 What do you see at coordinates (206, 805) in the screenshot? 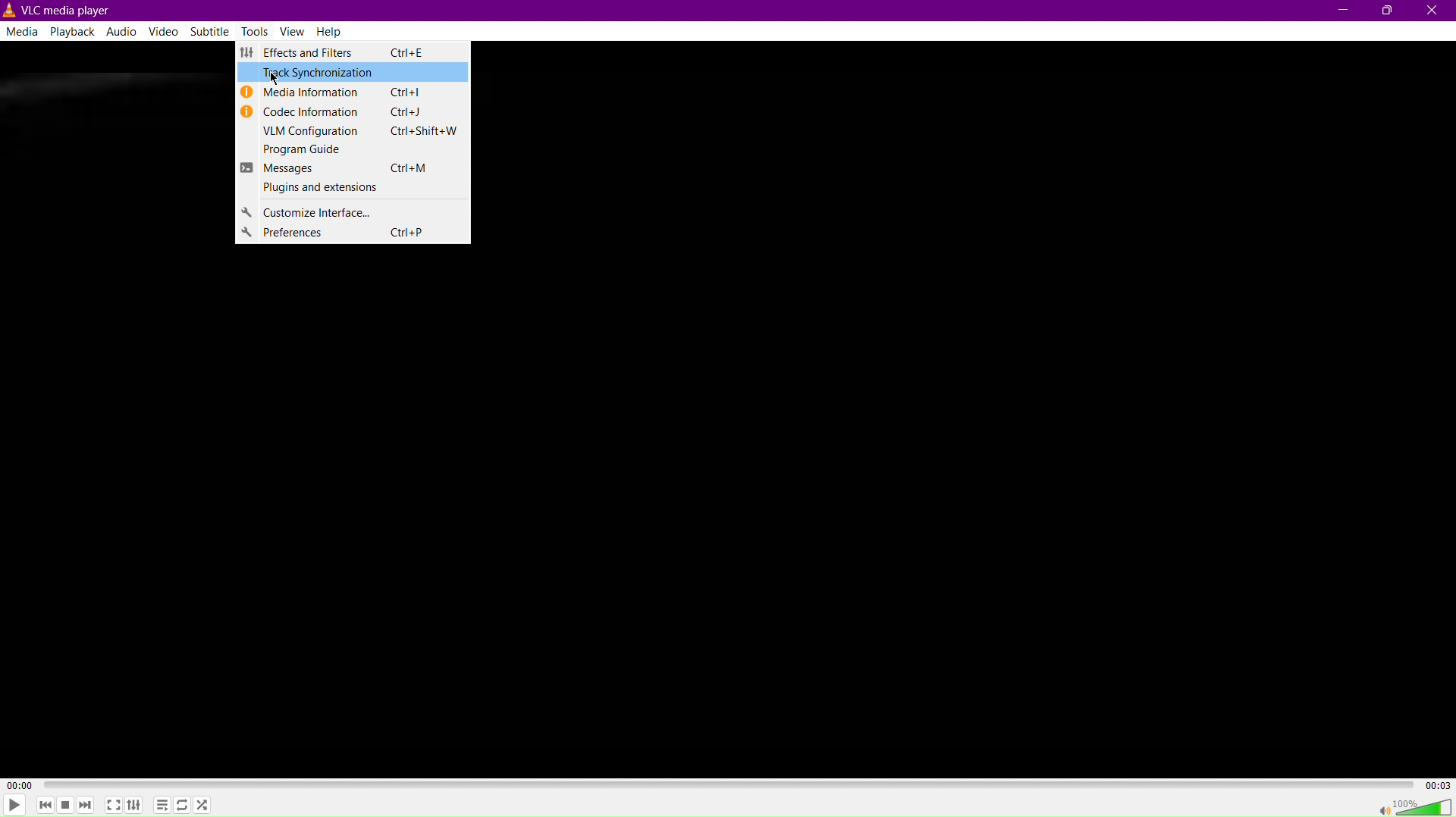
I see `Random` at bounding box center [206, 805].